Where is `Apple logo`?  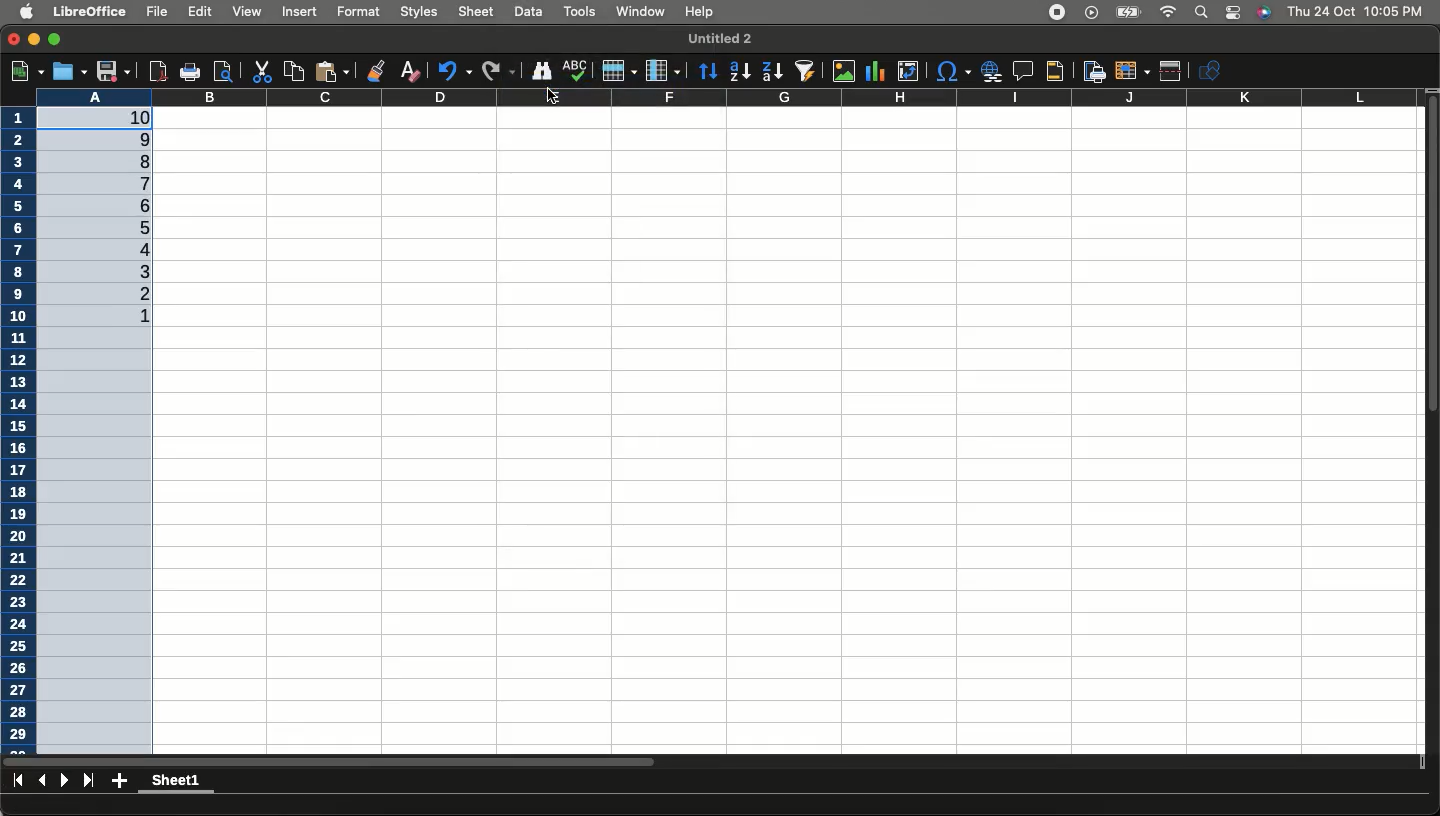
Apple logo is located at coordinates (27, 12).